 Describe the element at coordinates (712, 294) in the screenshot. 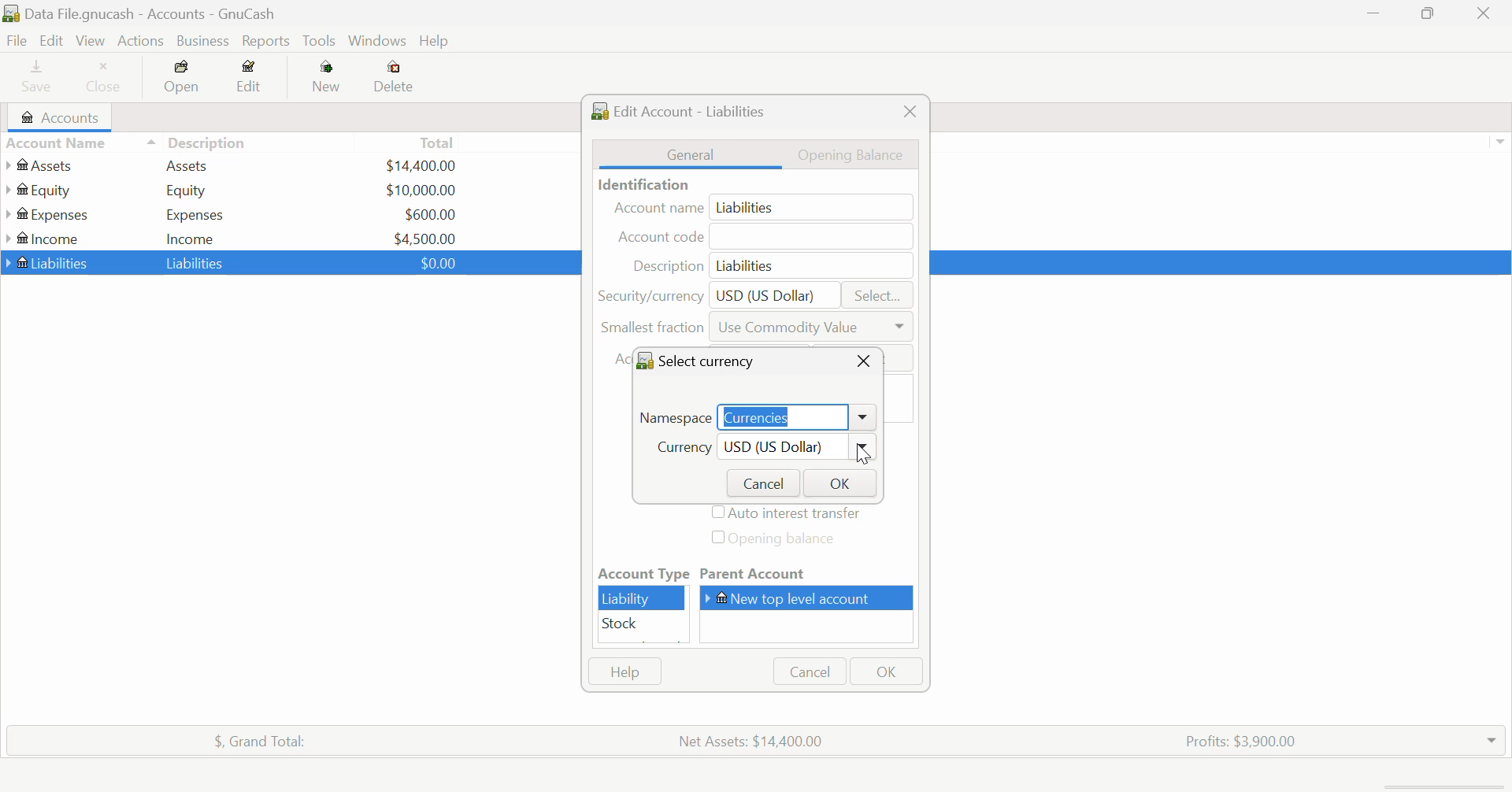

I see `Security/currency: USD (US Dollar)` at that location.